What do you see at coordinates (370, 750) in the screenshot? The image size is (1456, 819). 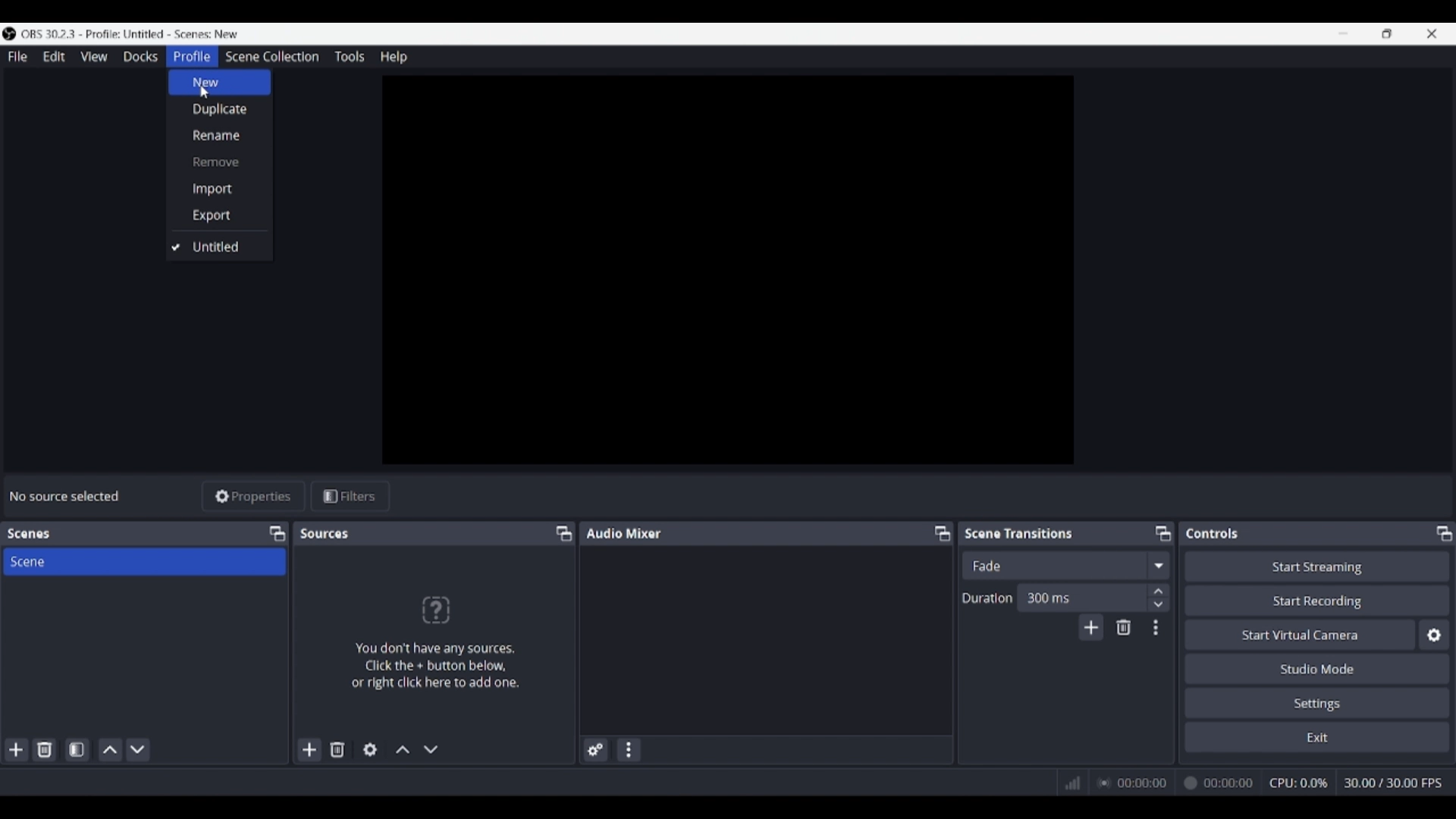 I see `Open source properties` at bounding box center [370, 750].